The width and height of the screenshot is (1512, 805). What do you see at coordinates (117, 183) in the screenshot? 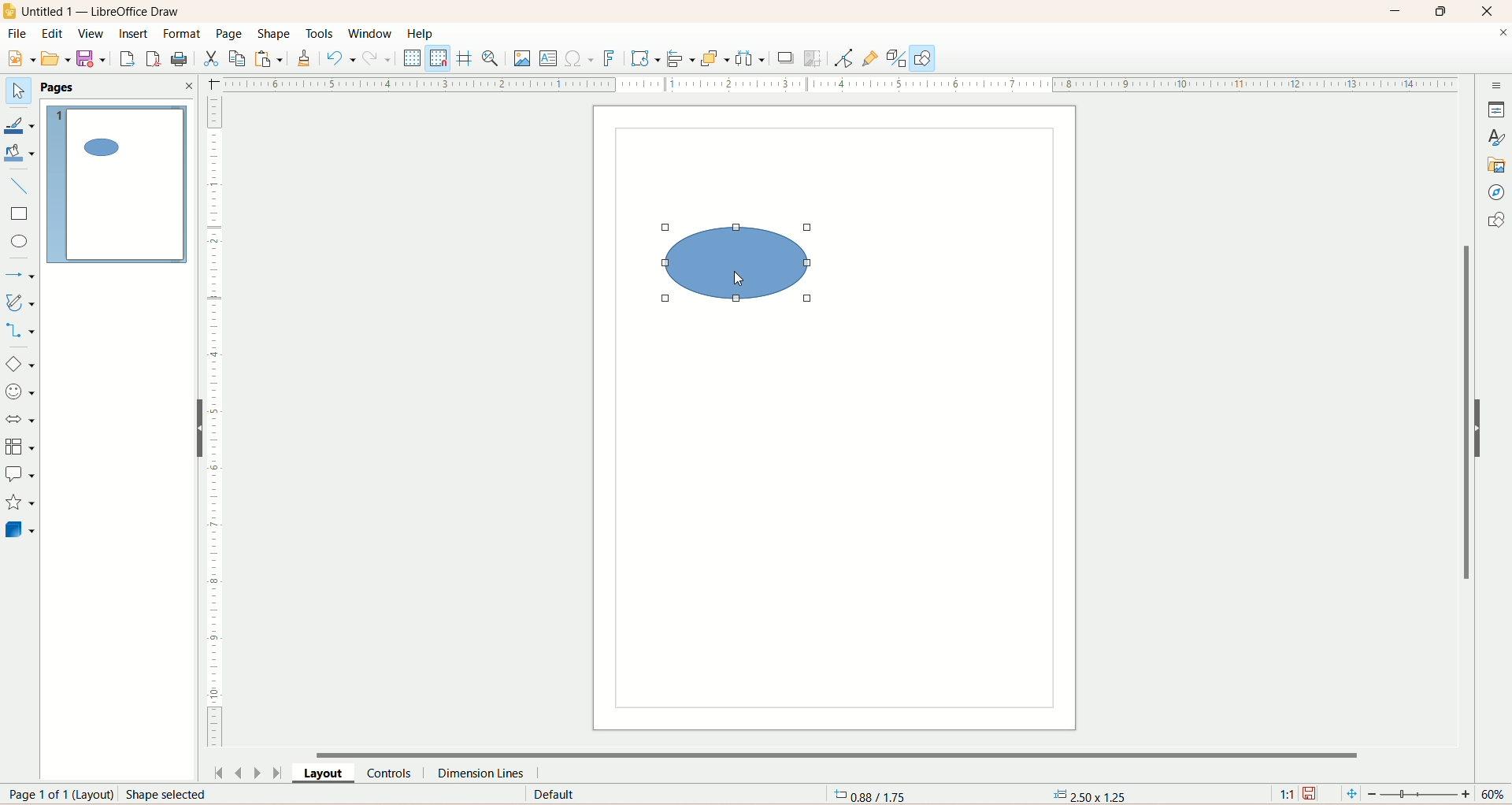
I see `page 1` at bounding box center [117, 183].